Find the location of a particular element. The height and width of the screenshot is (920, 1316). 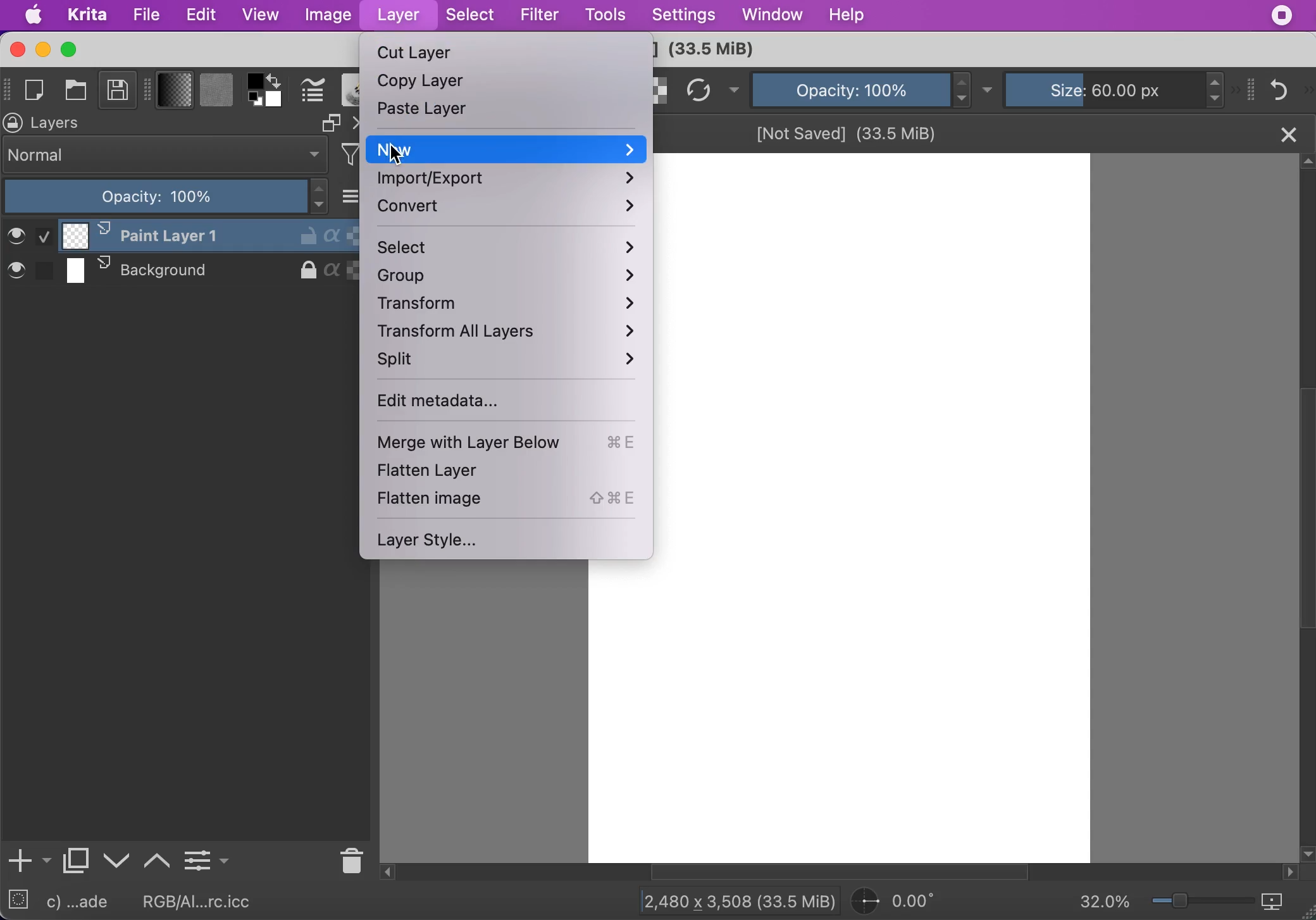

close is located at coordinates (16, 49).